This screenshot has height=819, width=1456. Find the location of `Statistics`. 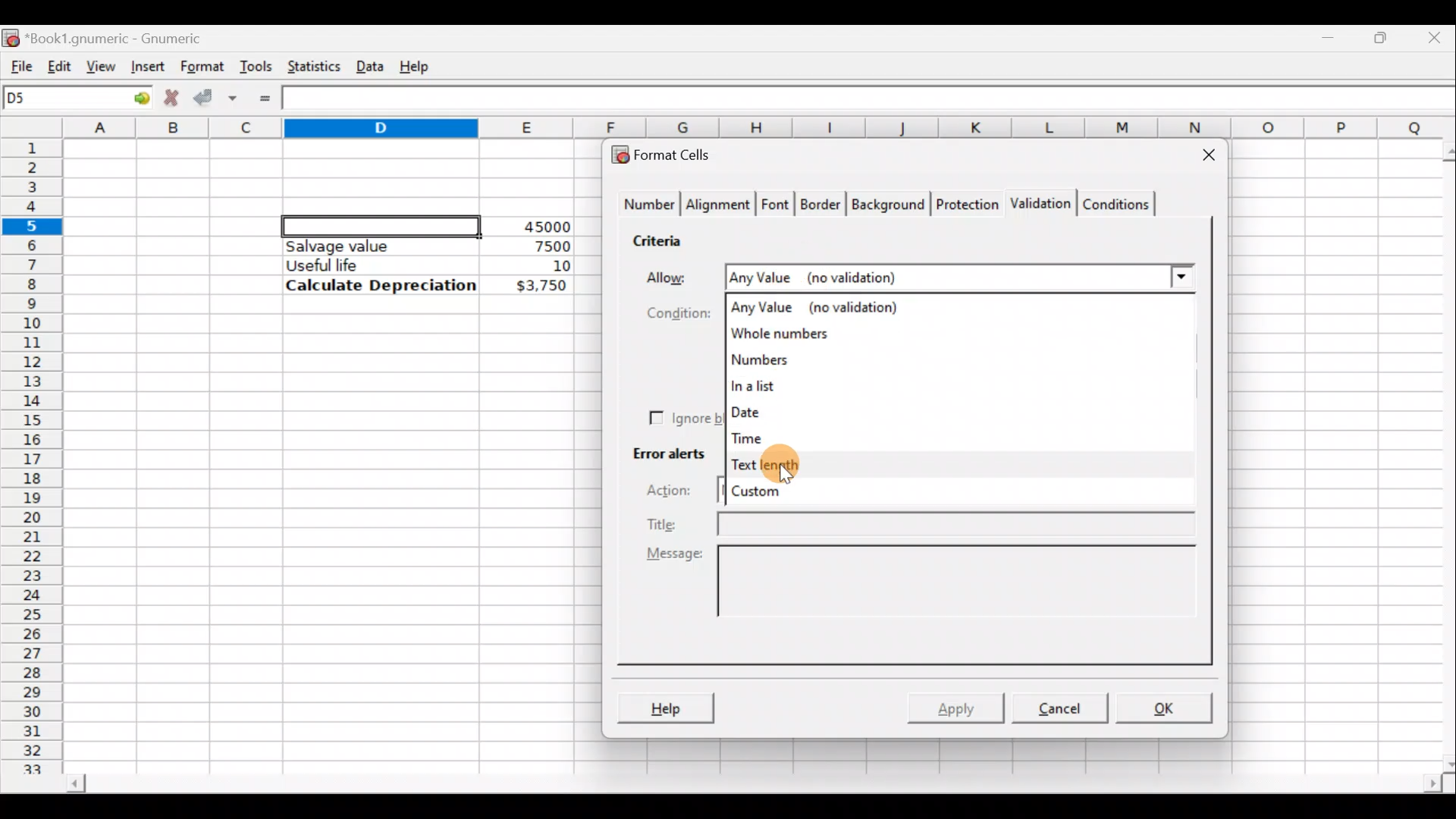

Statistics is located at coordinates (310, 65).